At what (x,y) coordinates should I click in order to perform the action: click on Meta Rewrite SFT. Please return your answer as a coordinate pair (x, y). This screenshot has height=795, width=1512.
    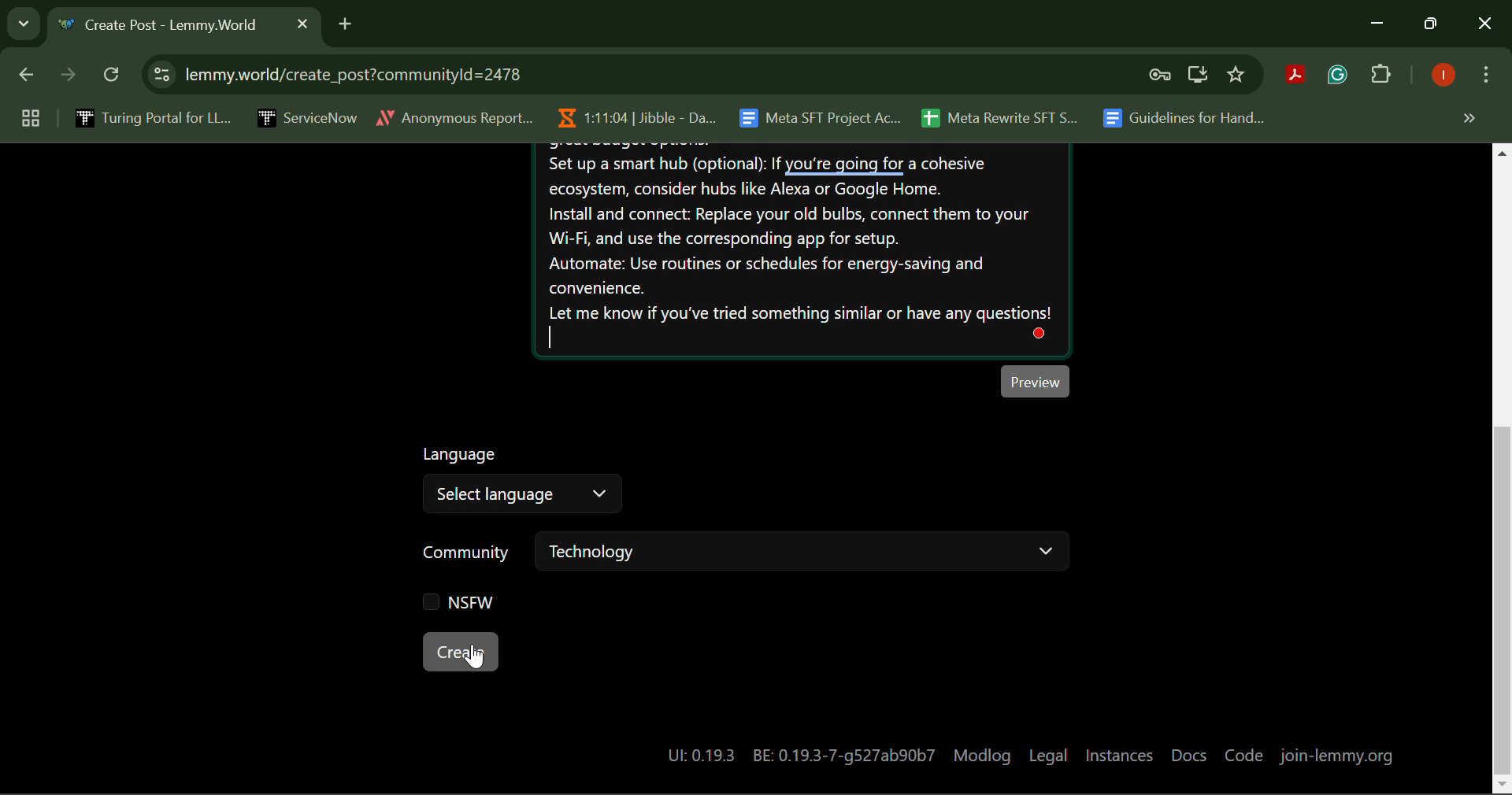
    Looking at the image, I should click on (1006, 116).